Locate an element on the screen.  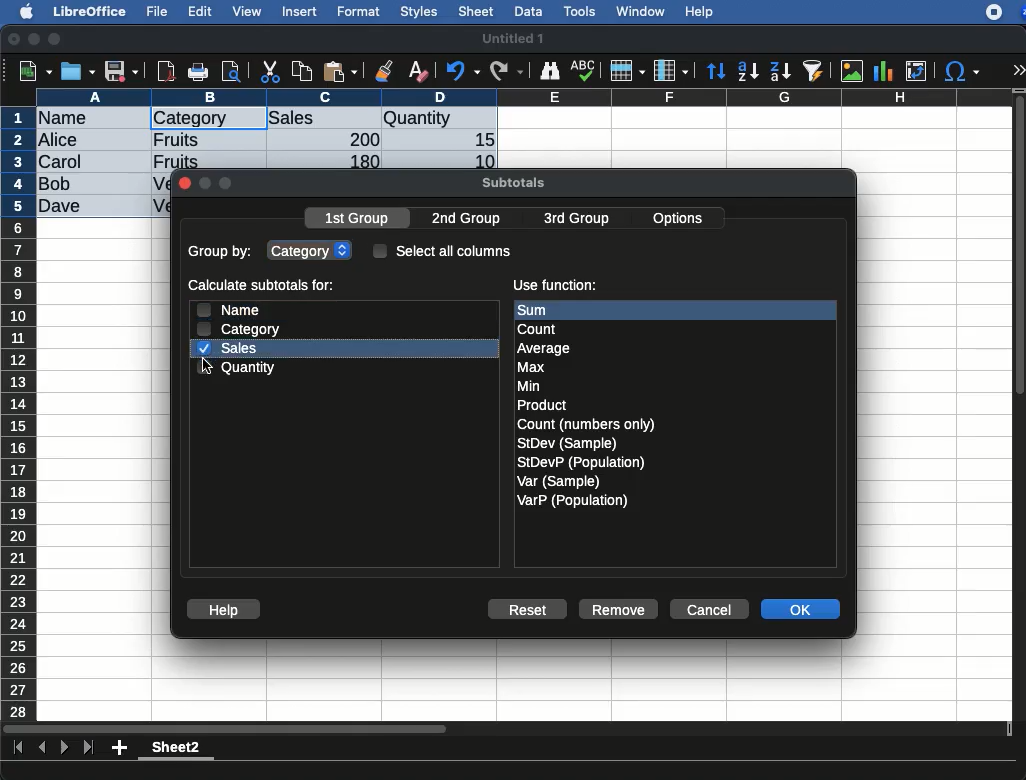
paste is located at coordinates (339, 71).